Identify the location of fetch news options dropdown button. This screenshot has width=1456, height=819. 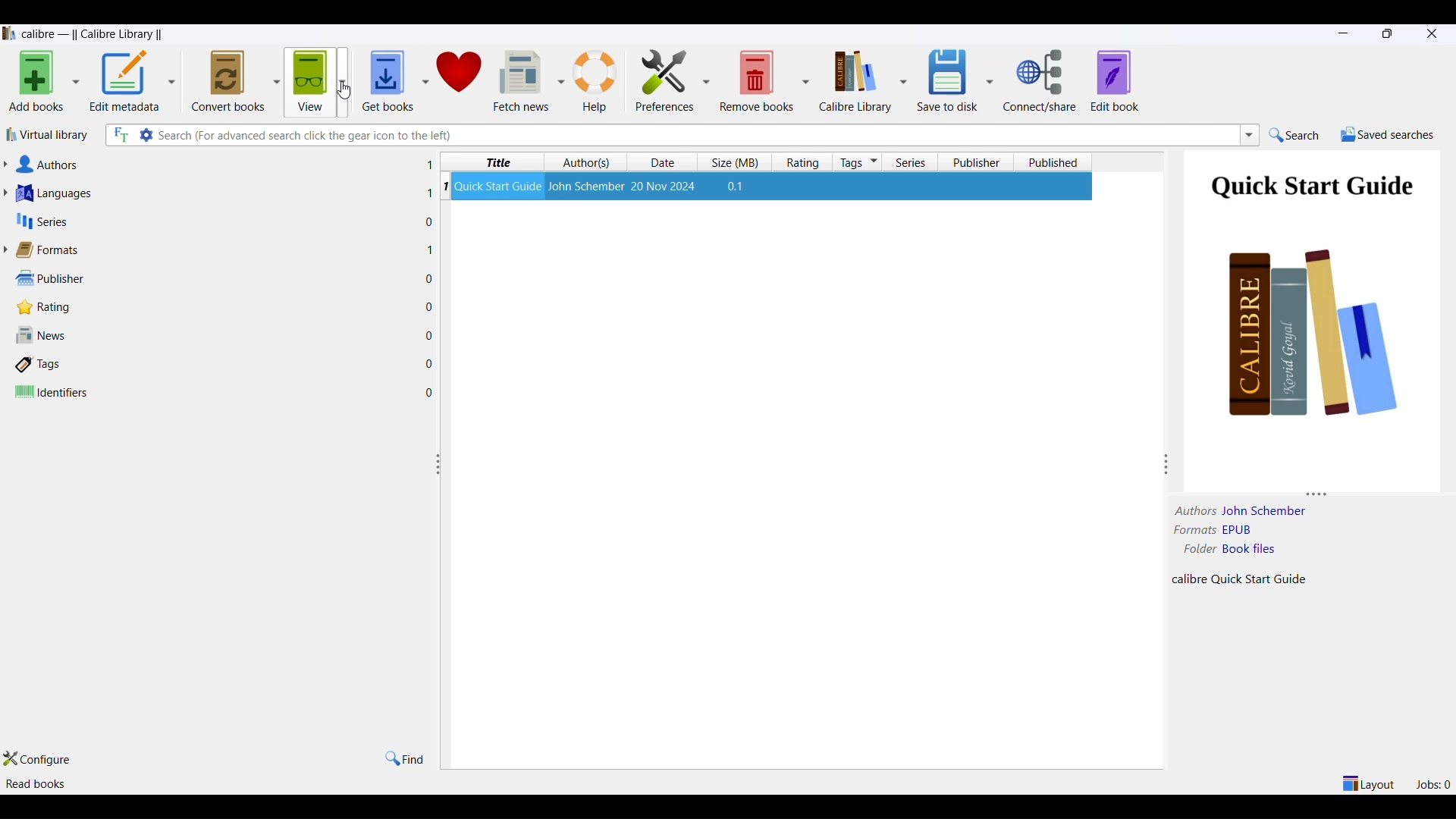
(558, 81).